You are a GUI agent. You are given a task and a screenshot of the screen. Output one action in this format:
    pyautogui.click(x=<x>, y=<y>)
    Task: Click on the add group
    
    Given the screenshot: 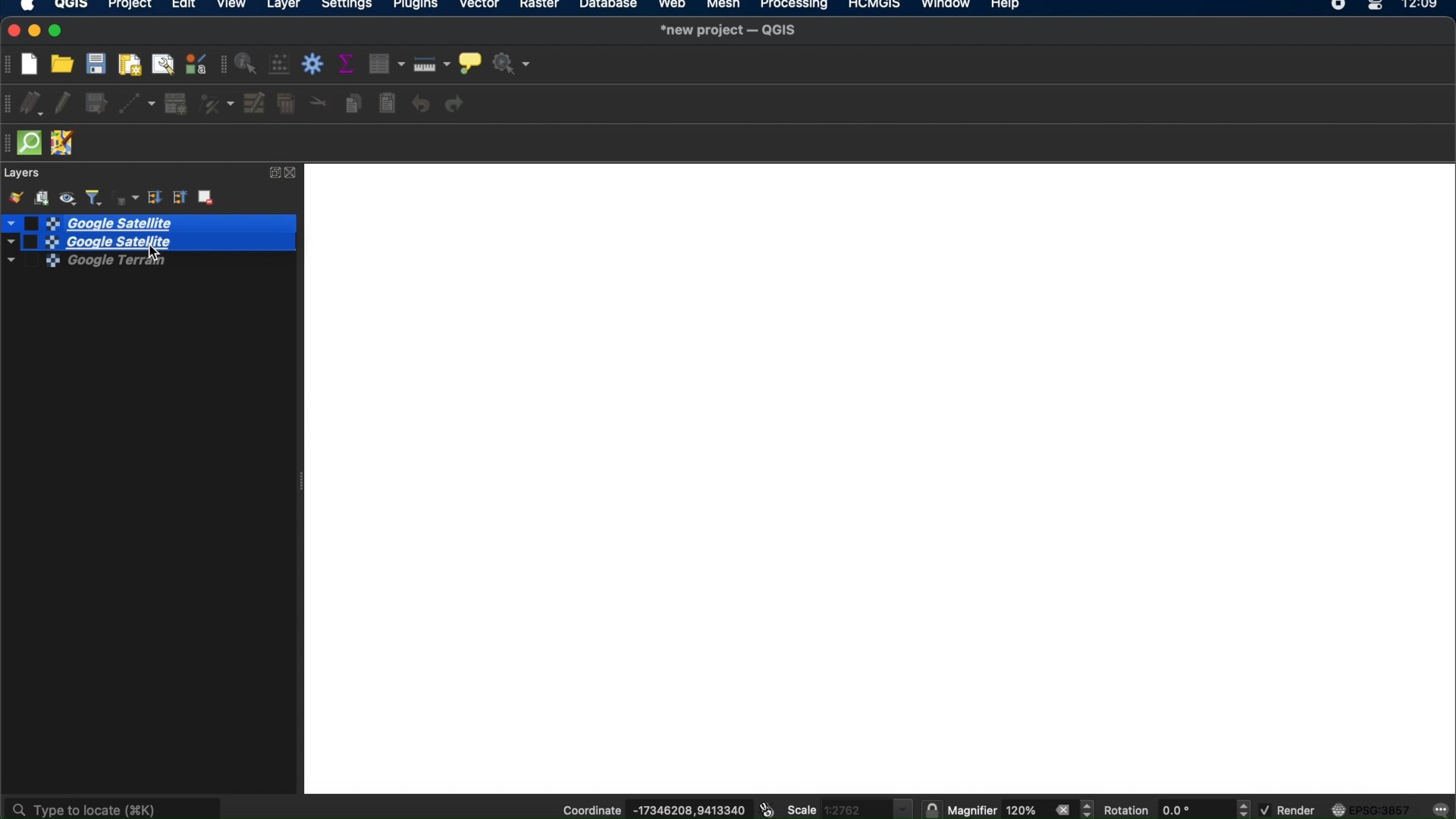 What is the action you would take?
    pyautogui.click(x=44, y=197)
    